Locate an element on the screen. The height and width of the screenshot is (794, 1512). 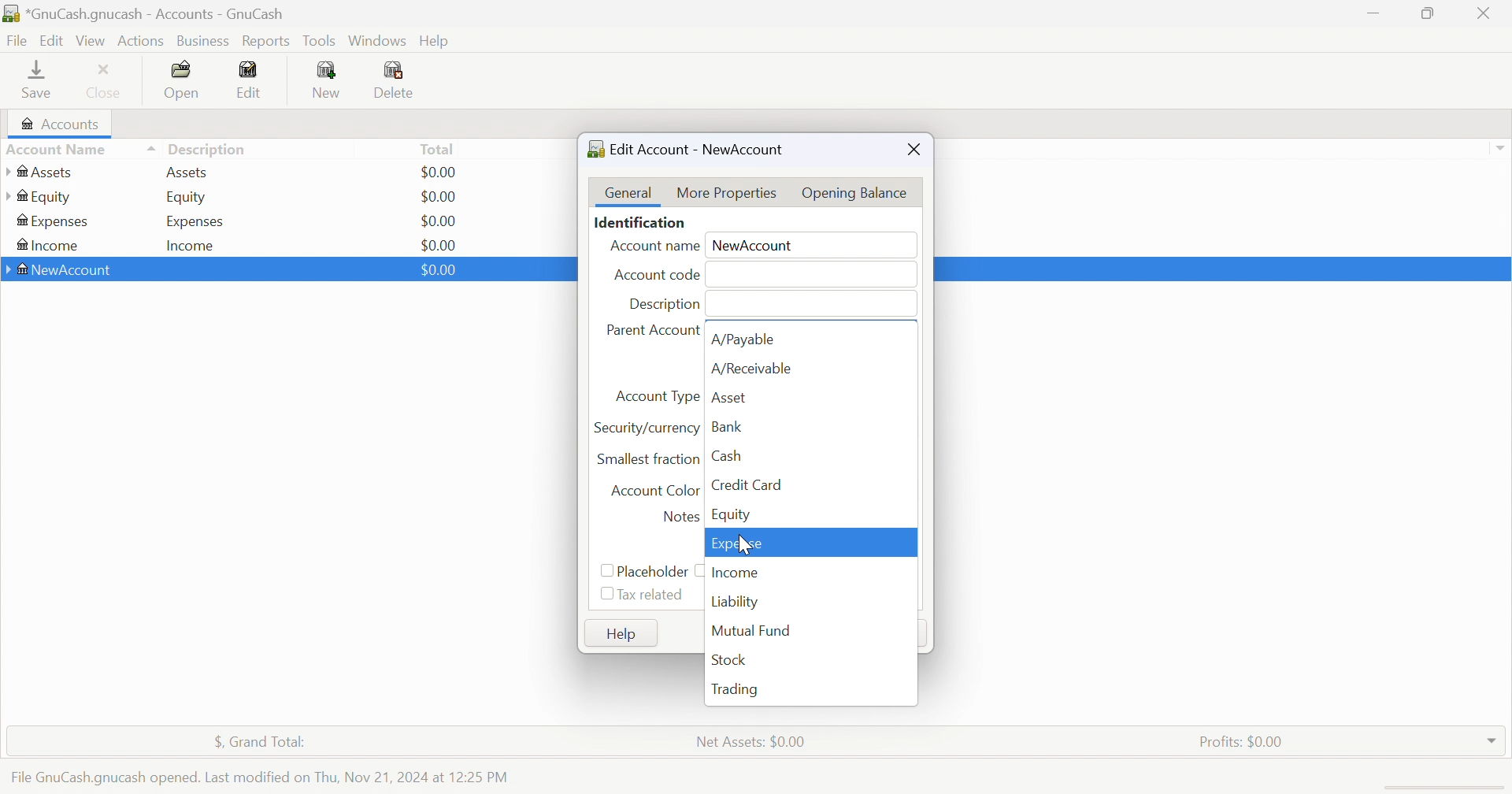
Description is located at coordinates (208, 150).